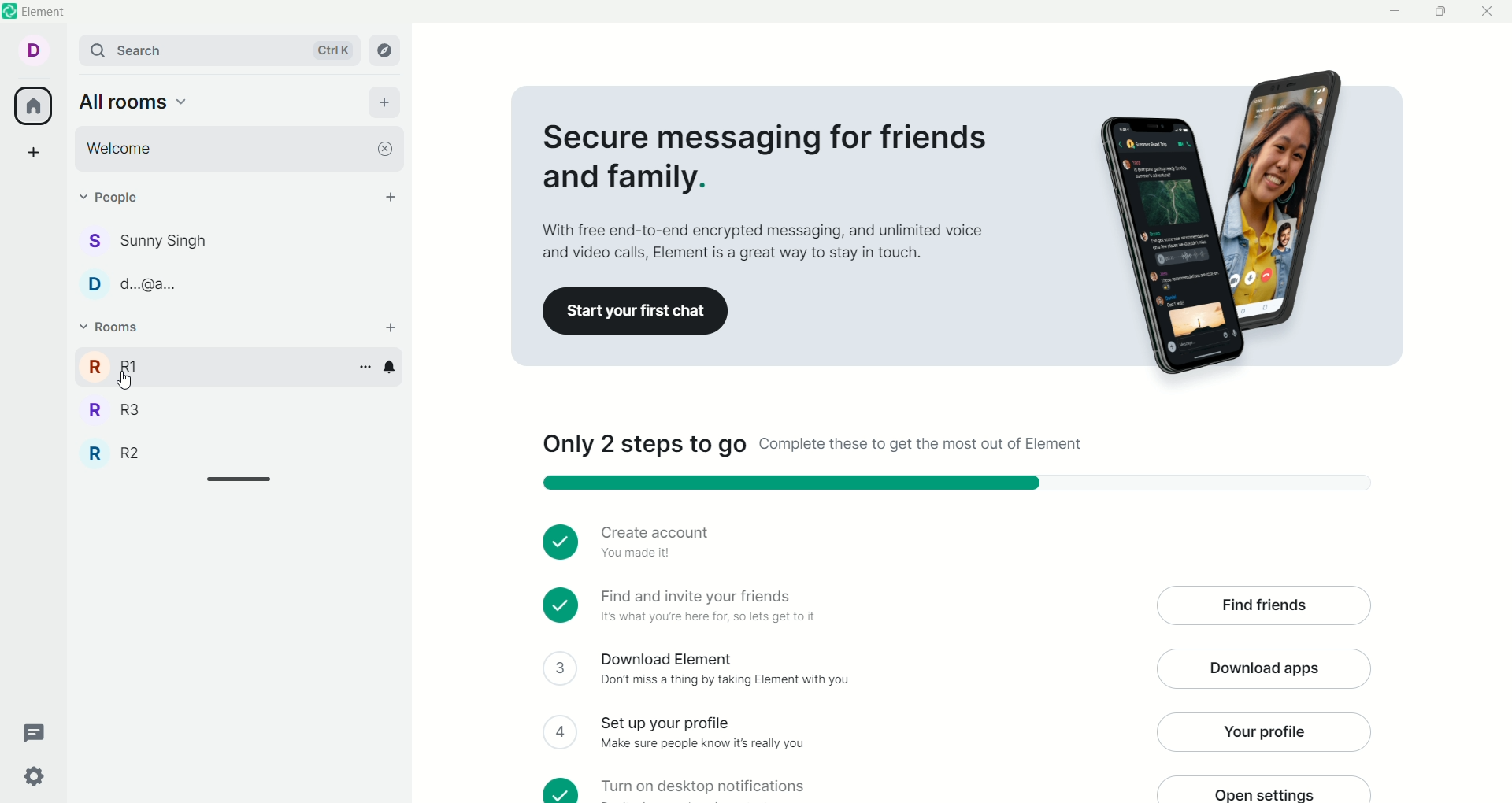 Image resolution: width=1512 pixels, height=803 pixels. Describe the element at coordinates (560, 605) in the screenshot. I see `Indicates step is done` at that location.